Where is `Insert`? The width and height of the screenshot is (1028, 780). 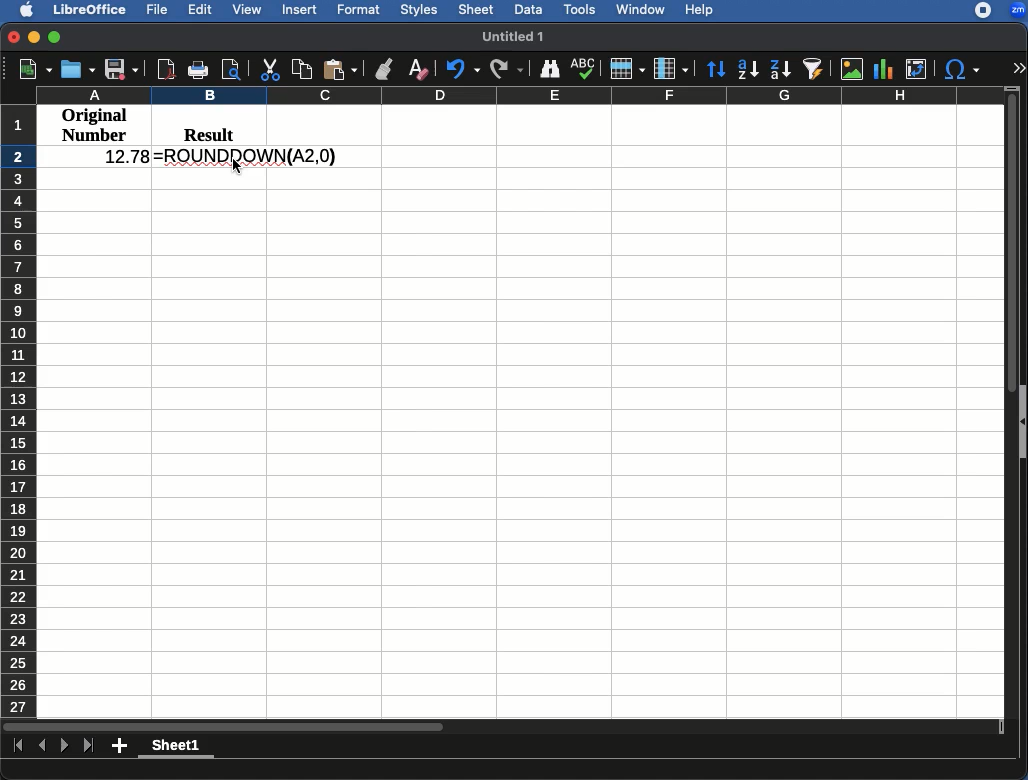
Insert is located at coordinates (301, 11).